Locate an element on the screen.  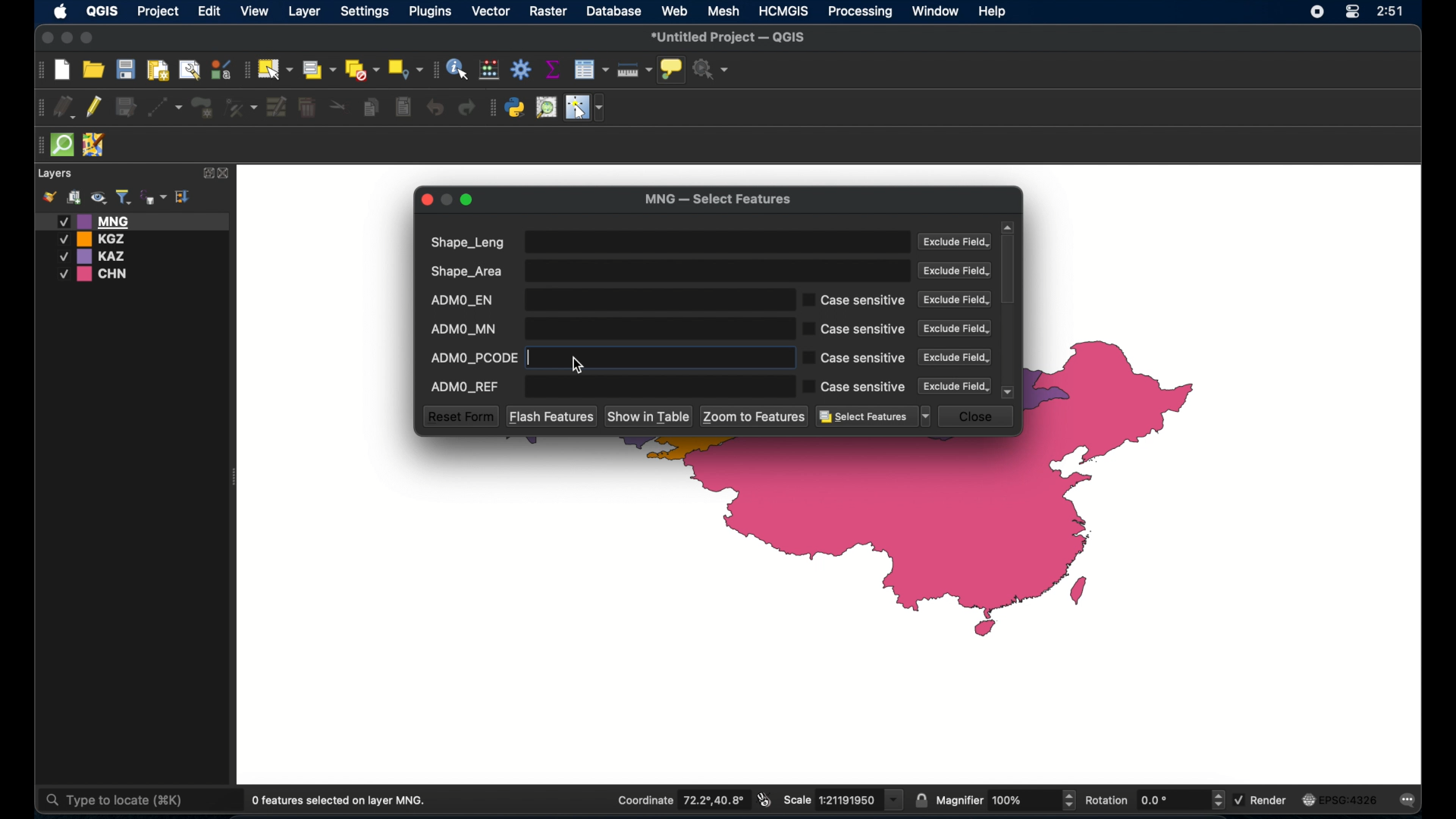
Coordinate  72.2°,40.8° is located at coordinates (679, 799).